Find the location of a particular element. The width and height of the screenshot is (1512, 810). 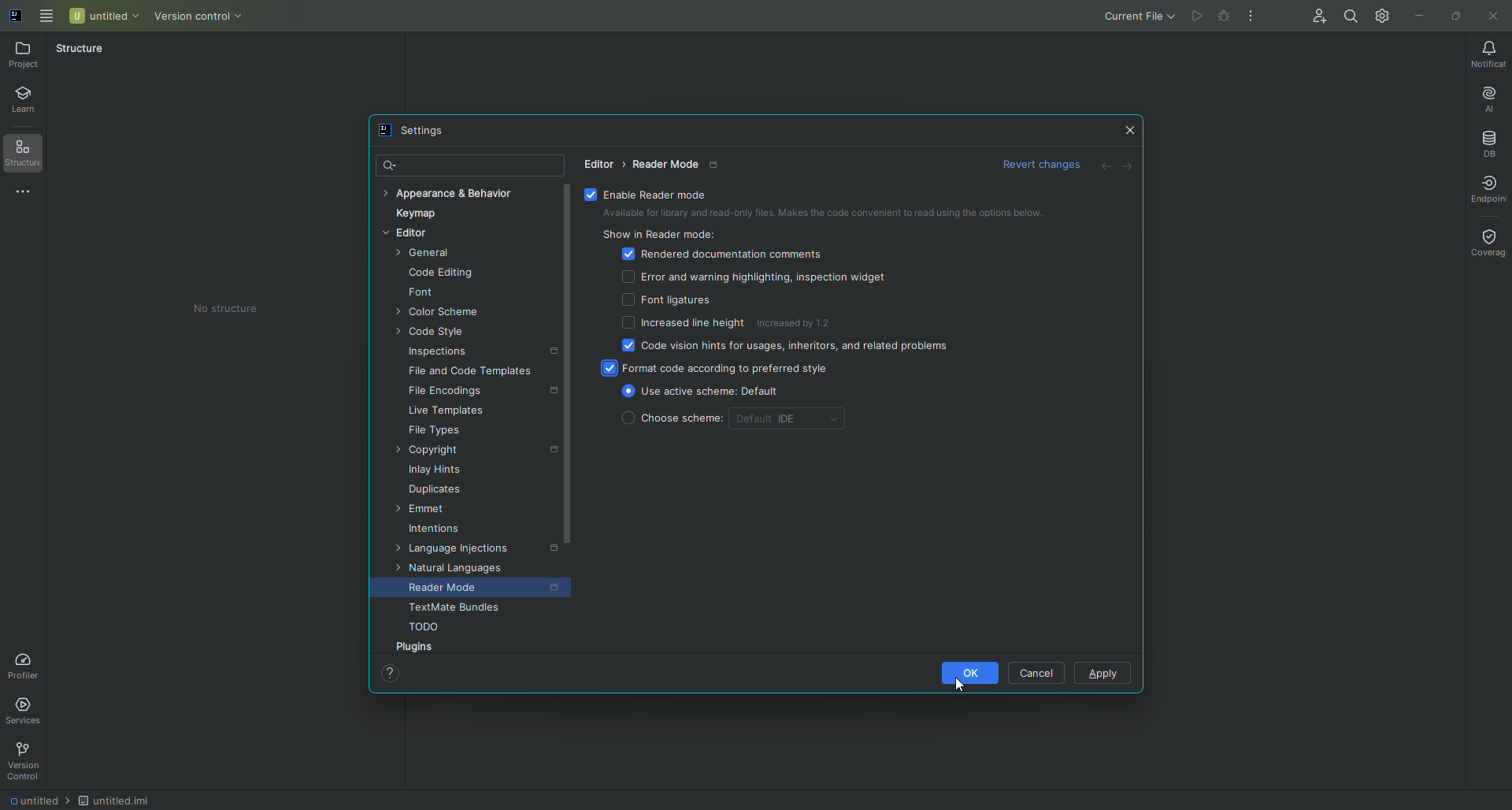

Natural languages is located at coordinates (461, 570).